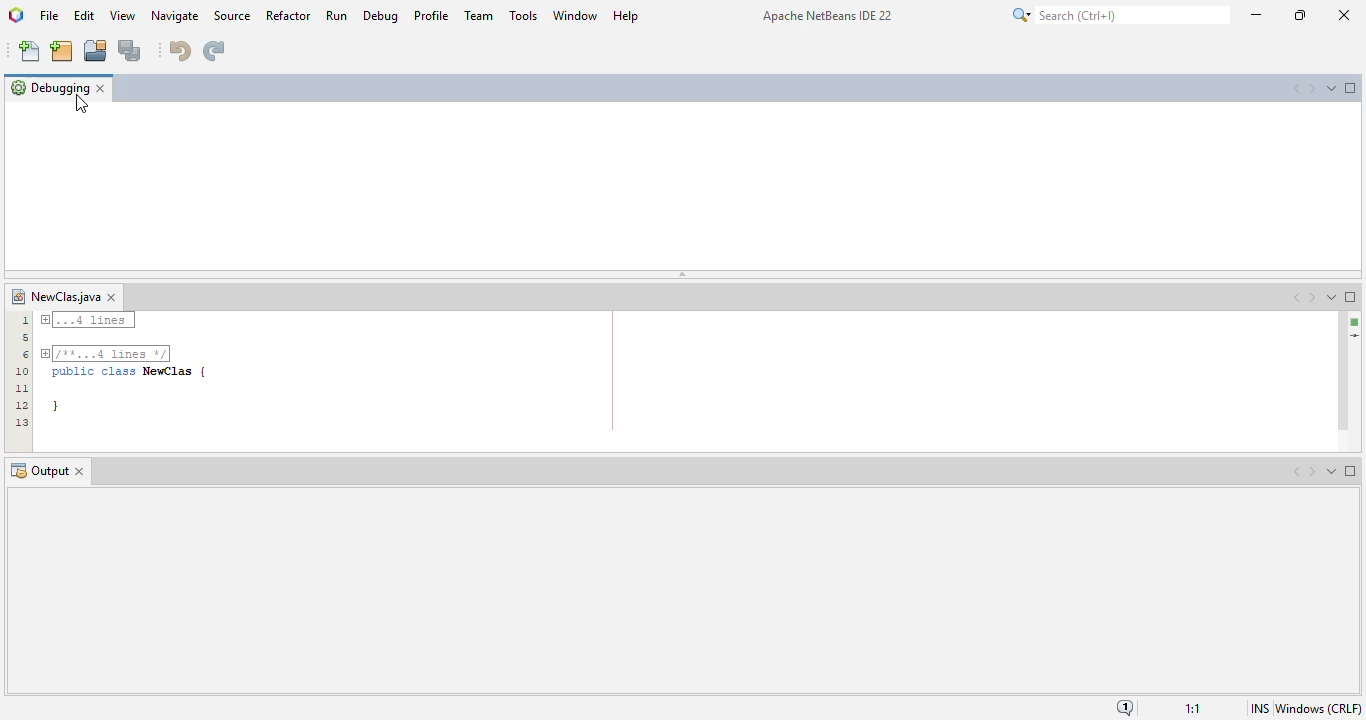  What do you see at coordinates (21, 370) in the screenshot?
I see `line numbers` at bounding box center [21, 370].